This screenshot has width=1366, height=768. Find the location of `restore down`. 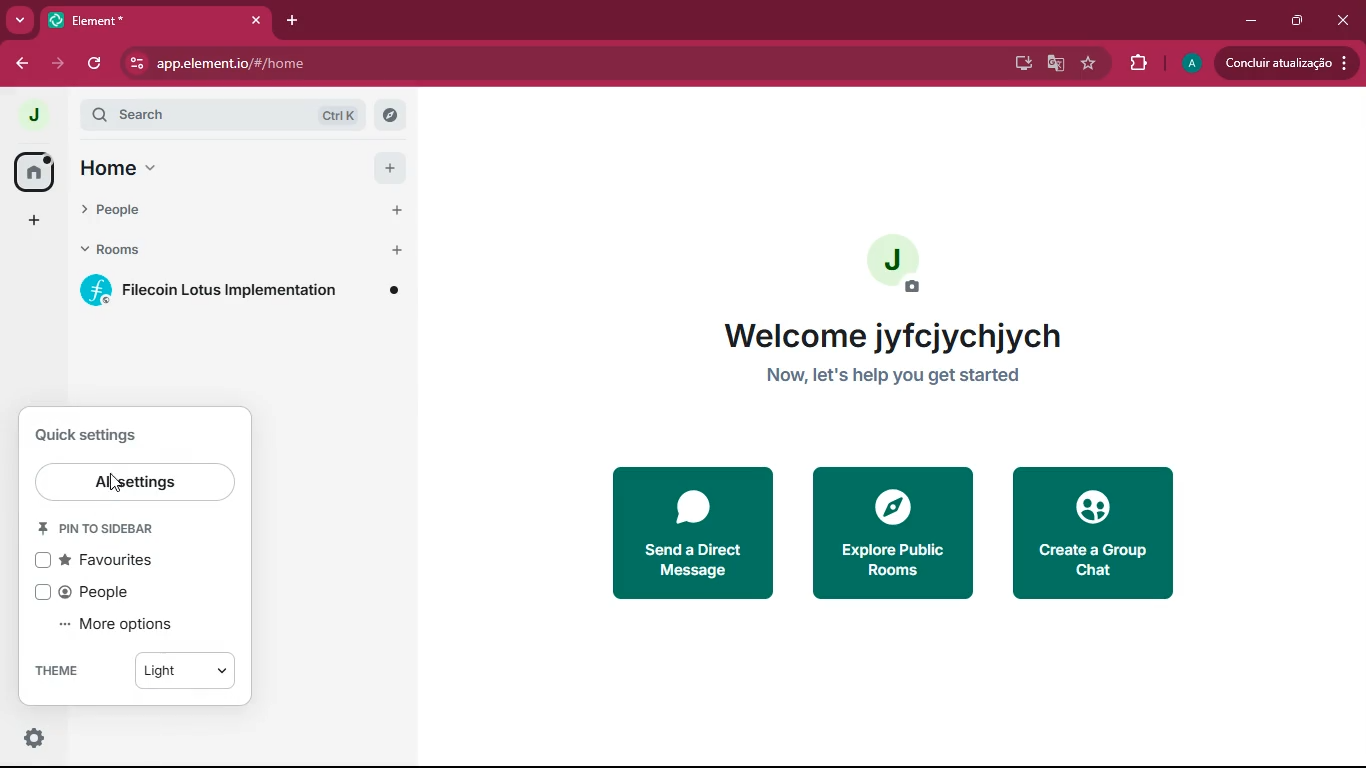

restore down is located at coordinates (1299, 20).